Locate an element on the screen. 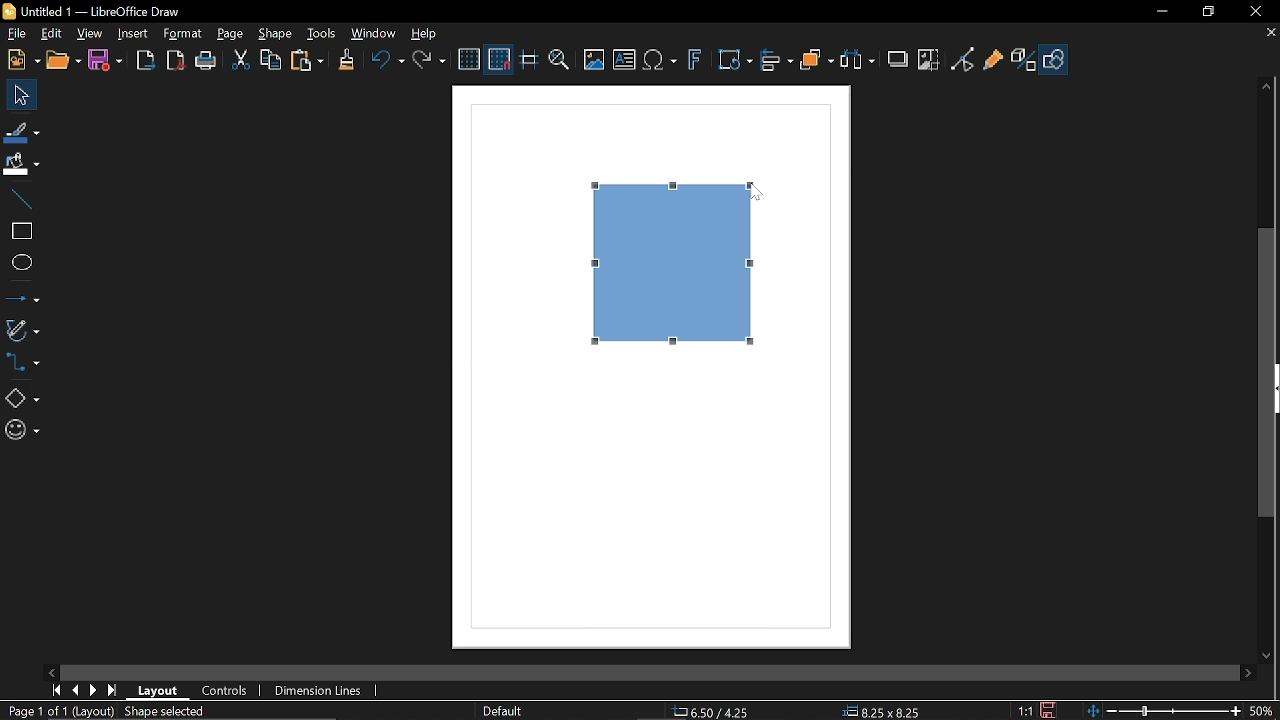 Image resolution: width=1280 pixels, height=720 pixels. Move down is located at coordinates (1267, 656).